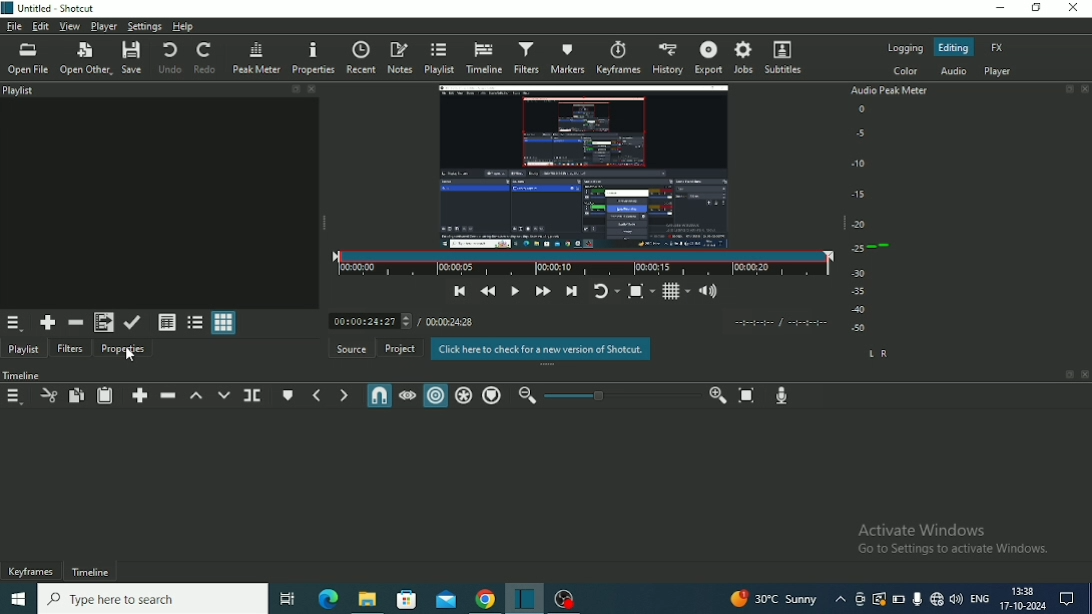 The width and height of the screenshot is (1092, 614). I want to click on Ripple, so click(435, 396).